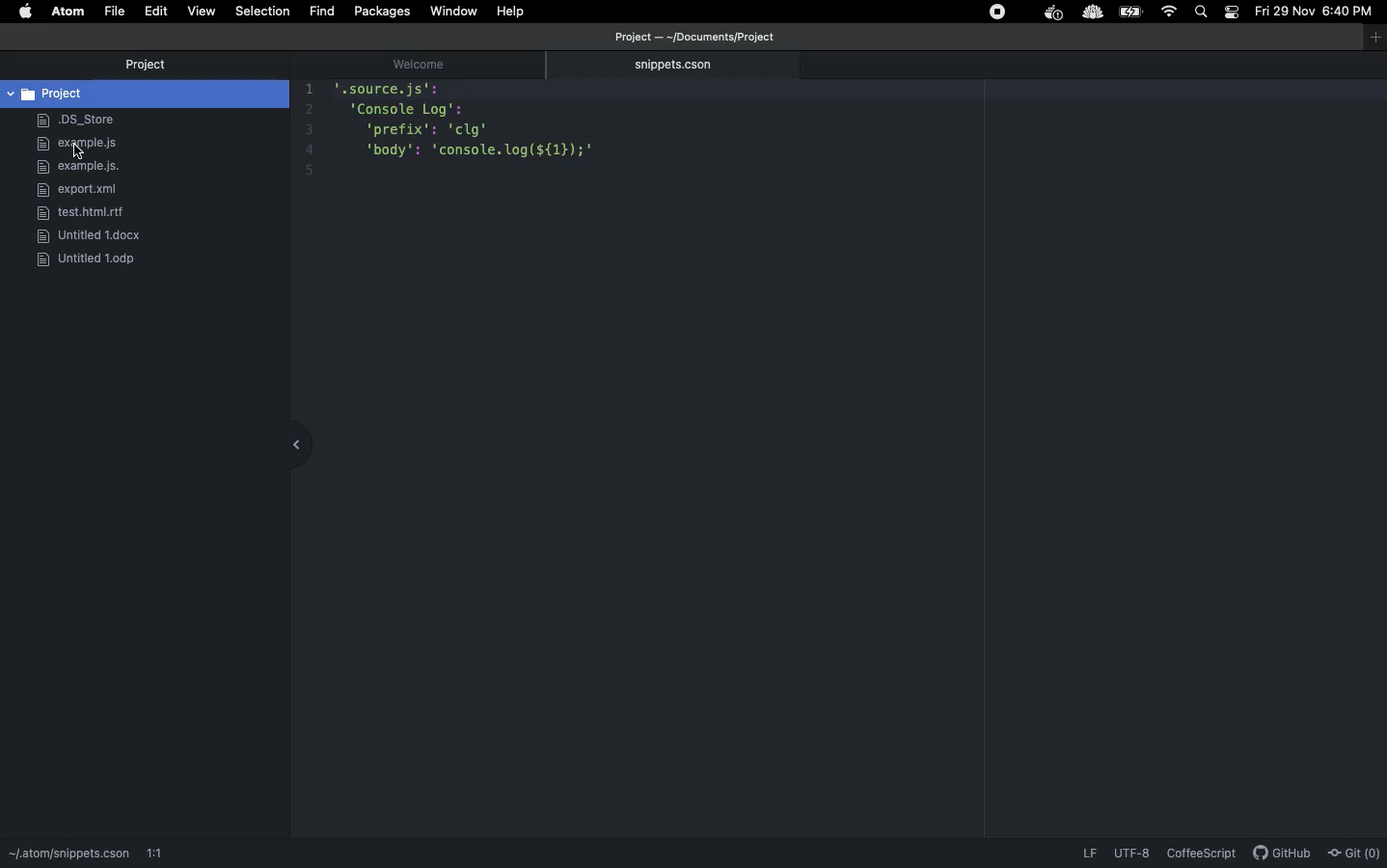 This screenshot has width=1387, height=868. Describe the element at coordinates (691, 66) in the screenshot. I see `snippets.cson` at that location.